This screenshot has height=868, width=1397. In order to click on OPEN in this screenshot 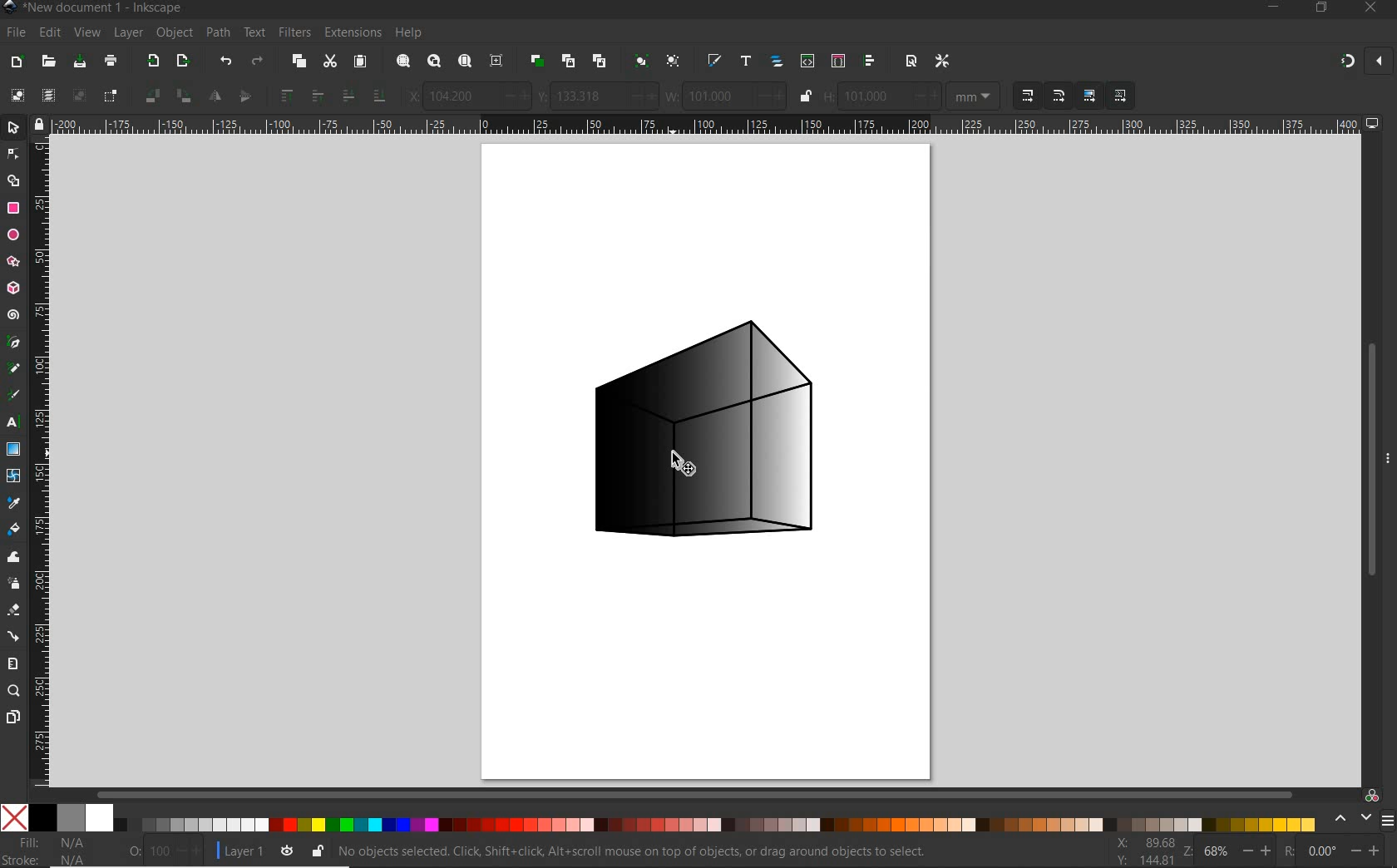, I will do `click(49, 62)`.